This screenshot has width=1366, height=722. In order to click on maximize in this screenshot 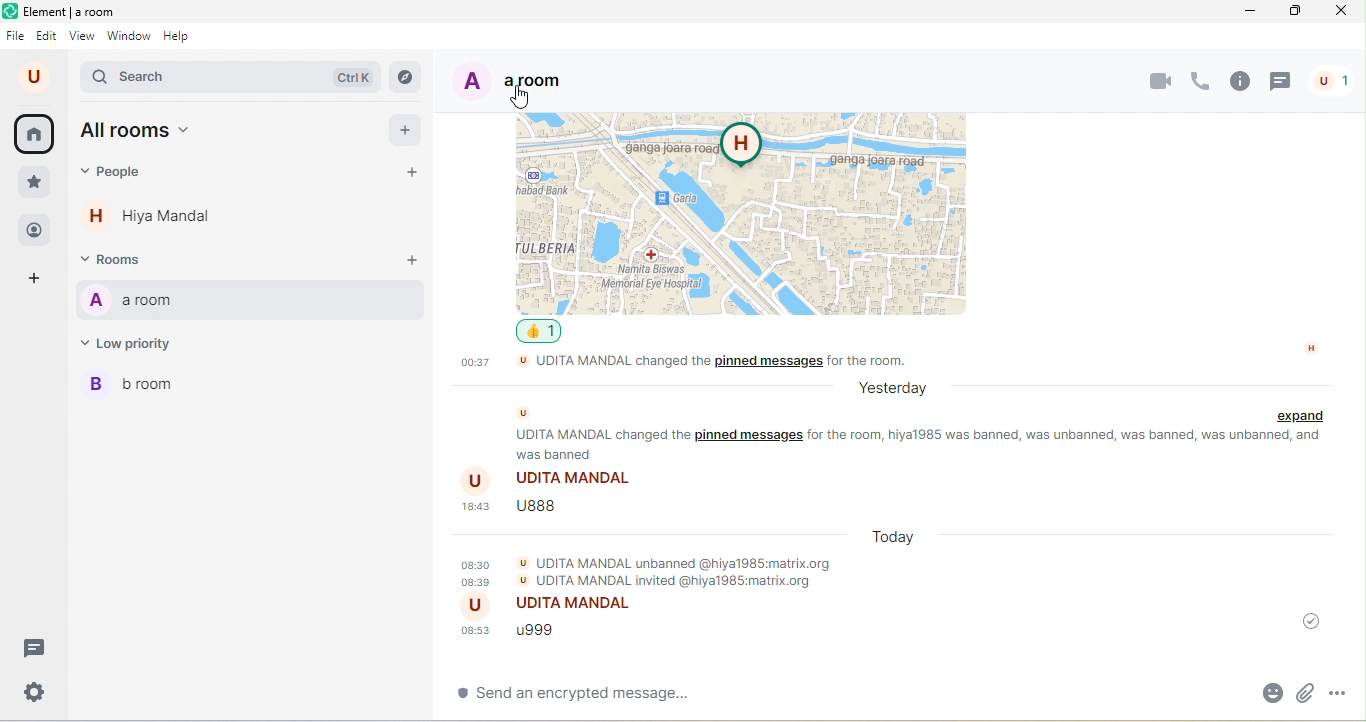, I will do `click(1297, 14)`.